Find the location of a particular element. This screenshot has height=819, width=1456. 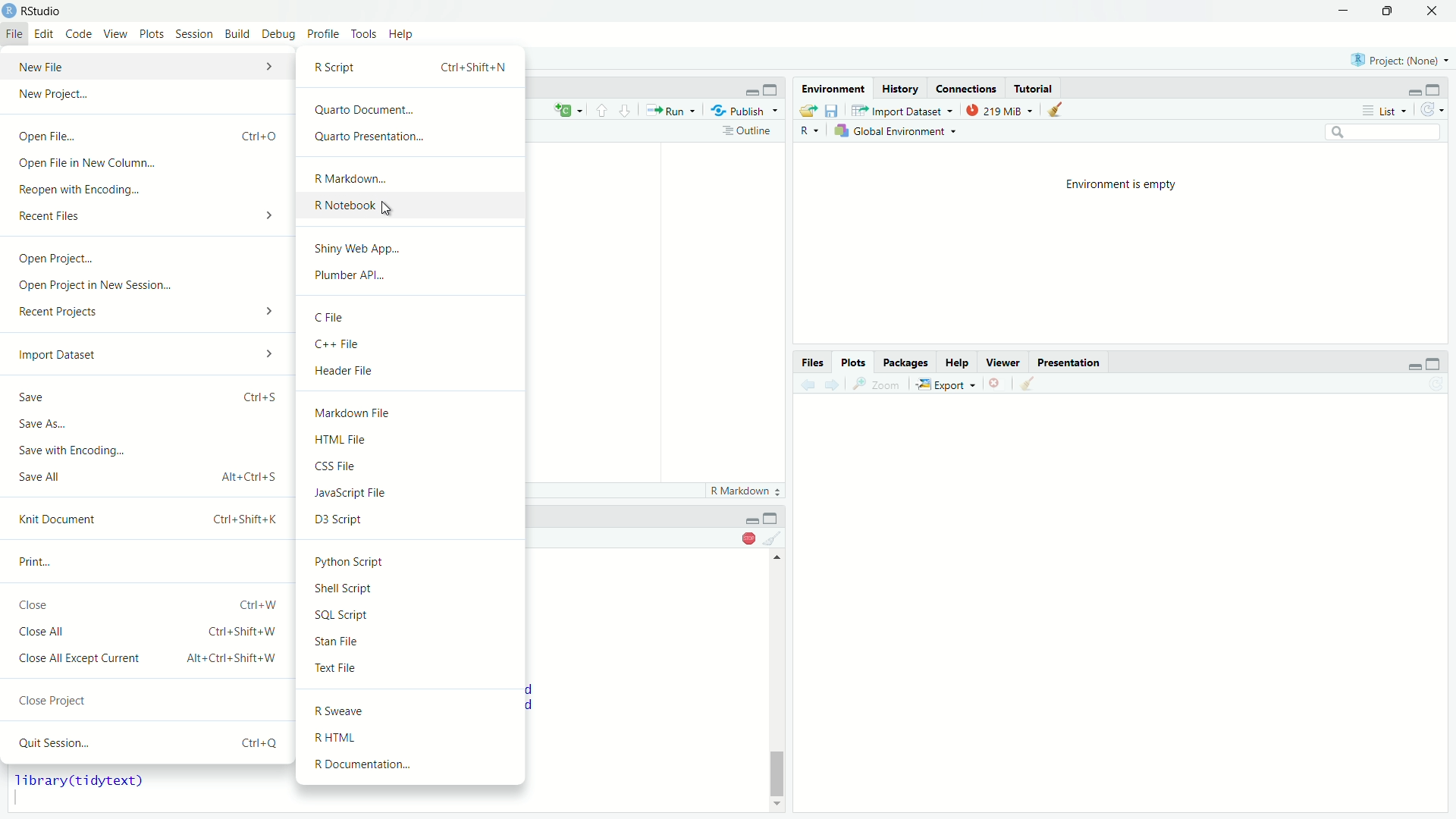

CSS File is located at coordinates (414, 463).